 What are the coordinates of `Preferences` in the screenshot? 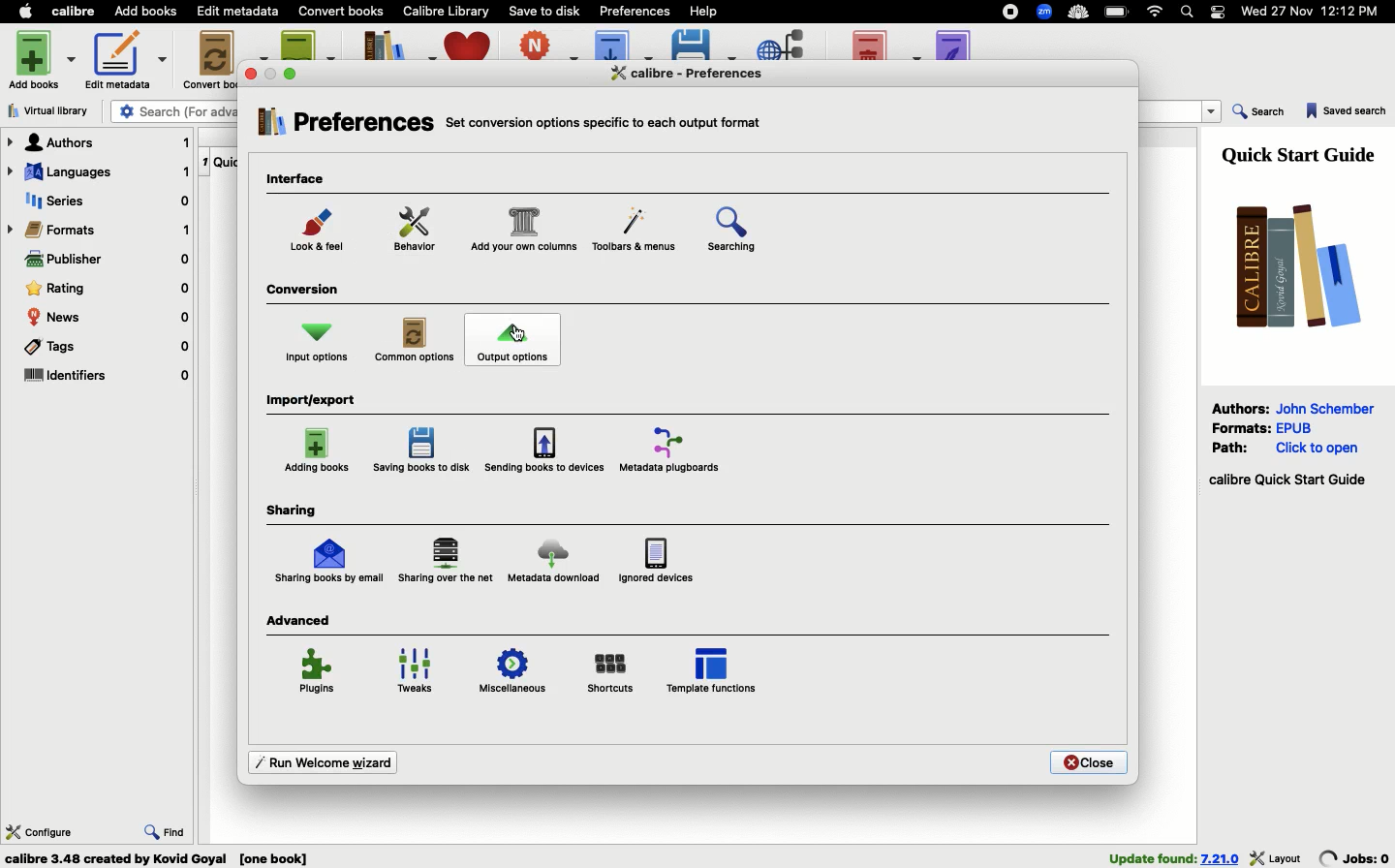 It's located at (344, 126).